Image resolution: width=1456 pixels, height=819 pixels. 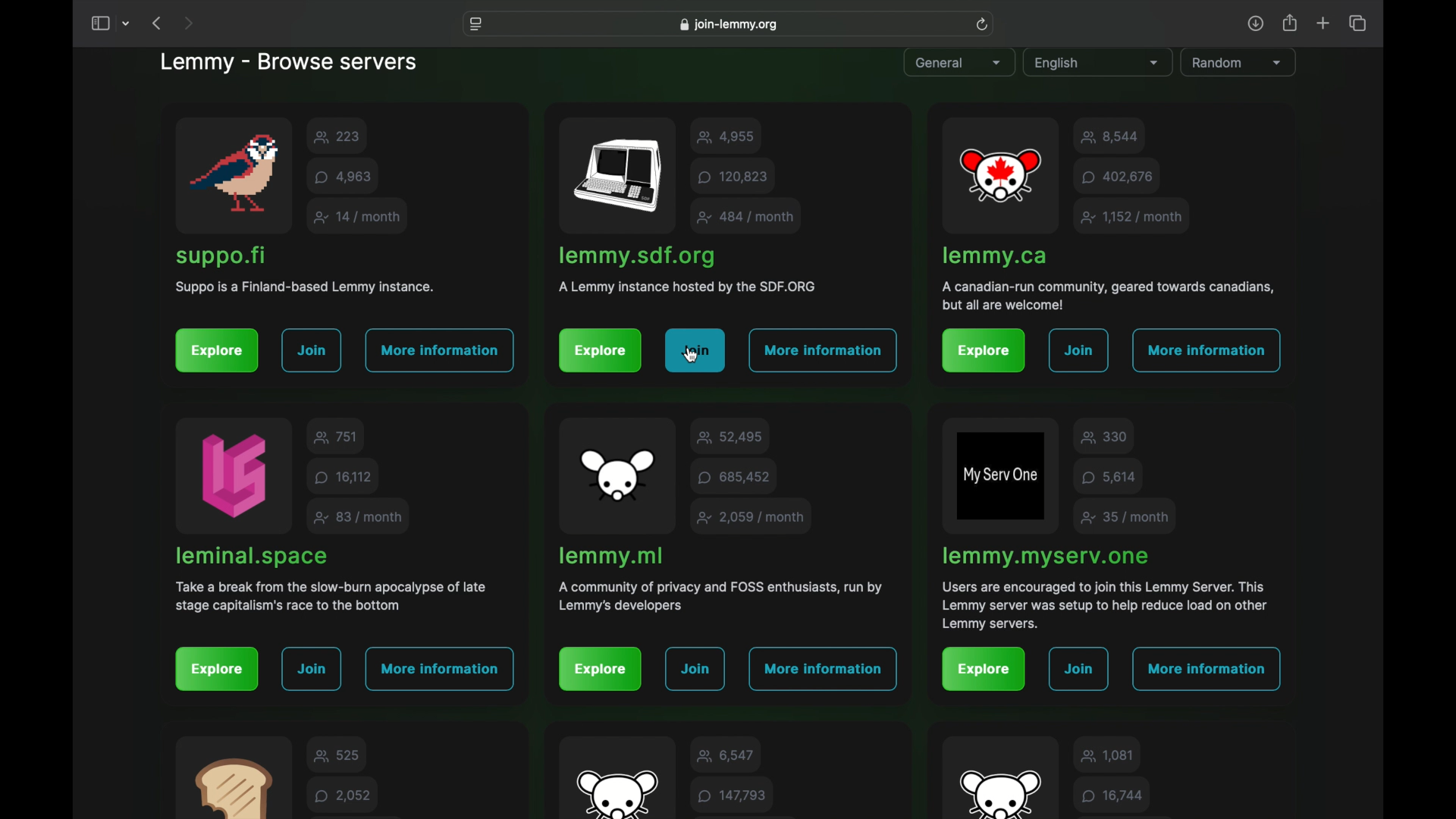 I want to click on more information, so click(x=441, y=350).